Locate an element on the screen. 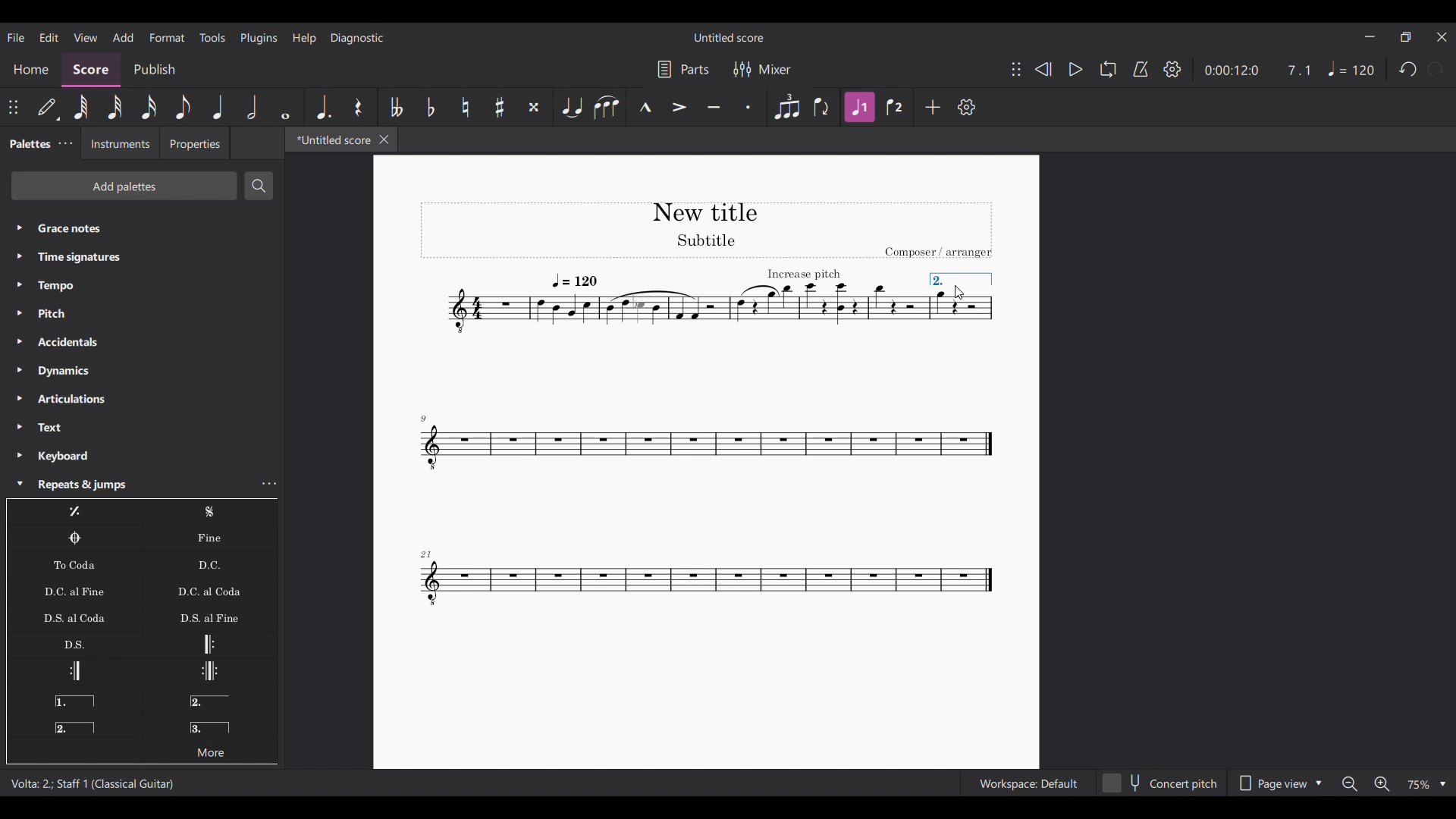  Palettes is located at coordinates (28, 144).